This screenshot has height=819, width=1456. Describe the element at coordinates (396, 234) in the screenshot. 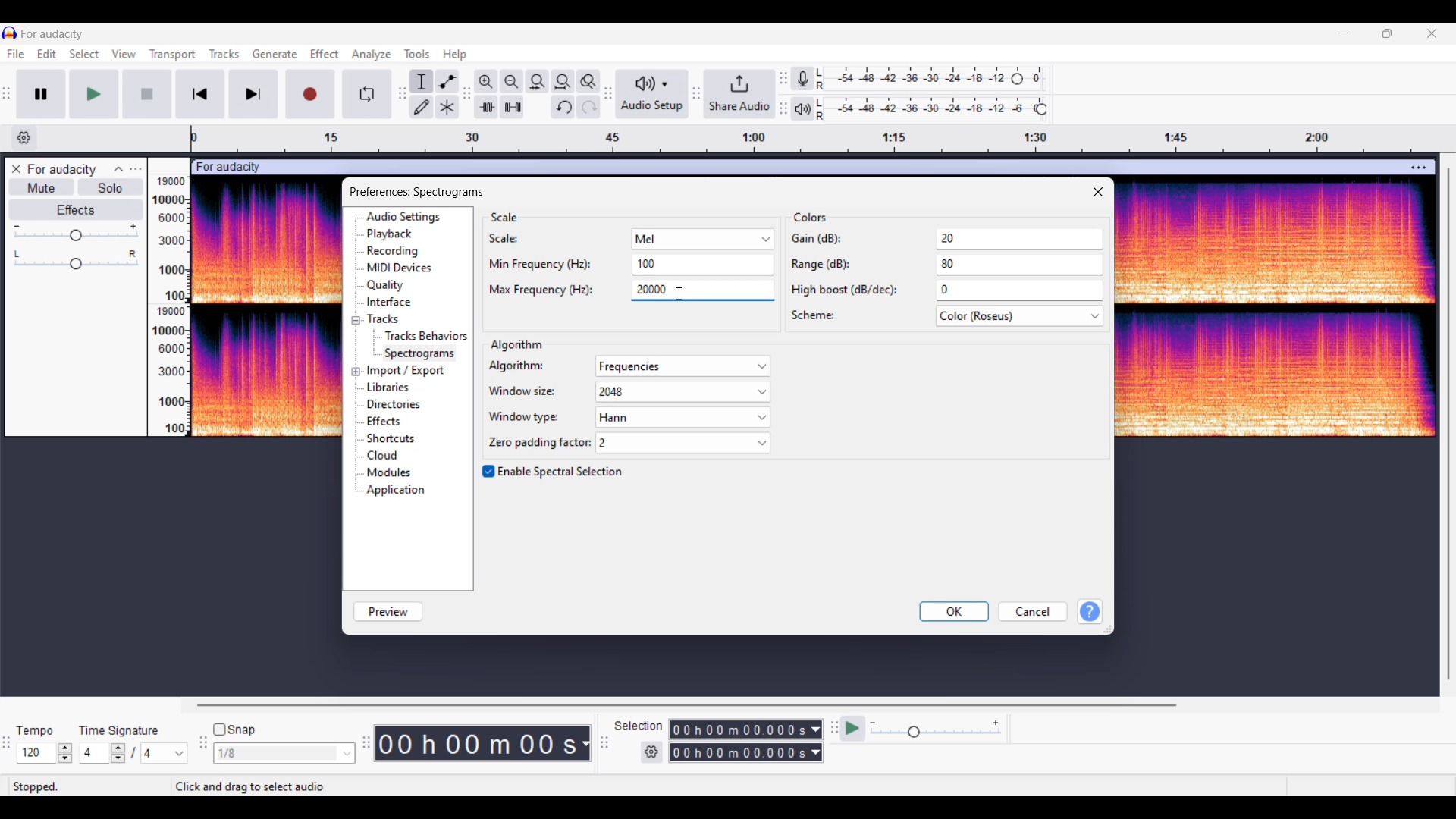

I see `playback` at that location.